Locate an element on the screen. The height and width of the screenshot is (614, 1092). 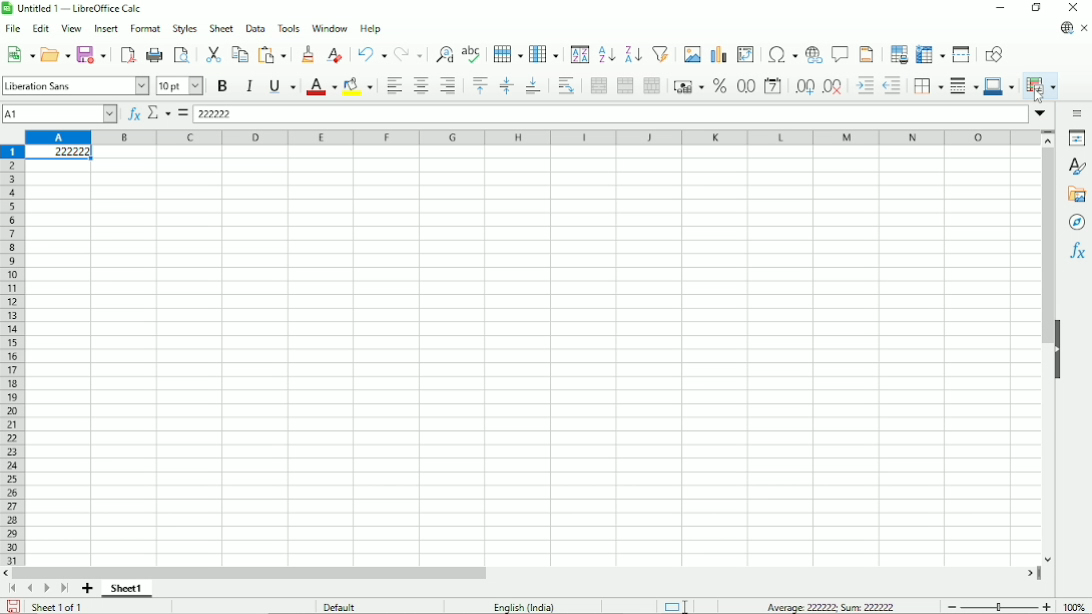
Column headings is located at coordinates (530, 136).